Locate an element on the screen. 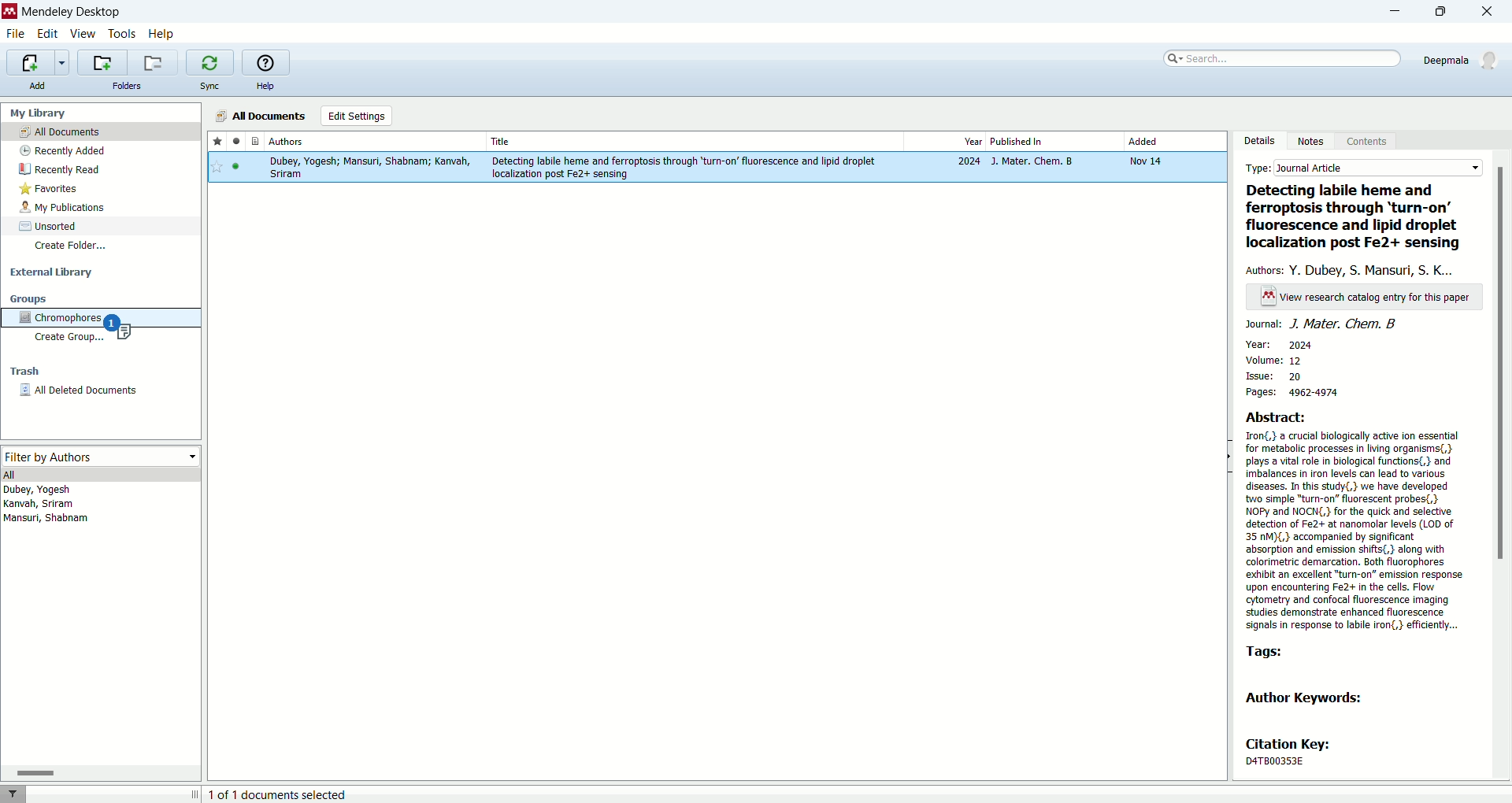 This screenshot has height=803, width=1512. import is located at coordinates (38, 63).